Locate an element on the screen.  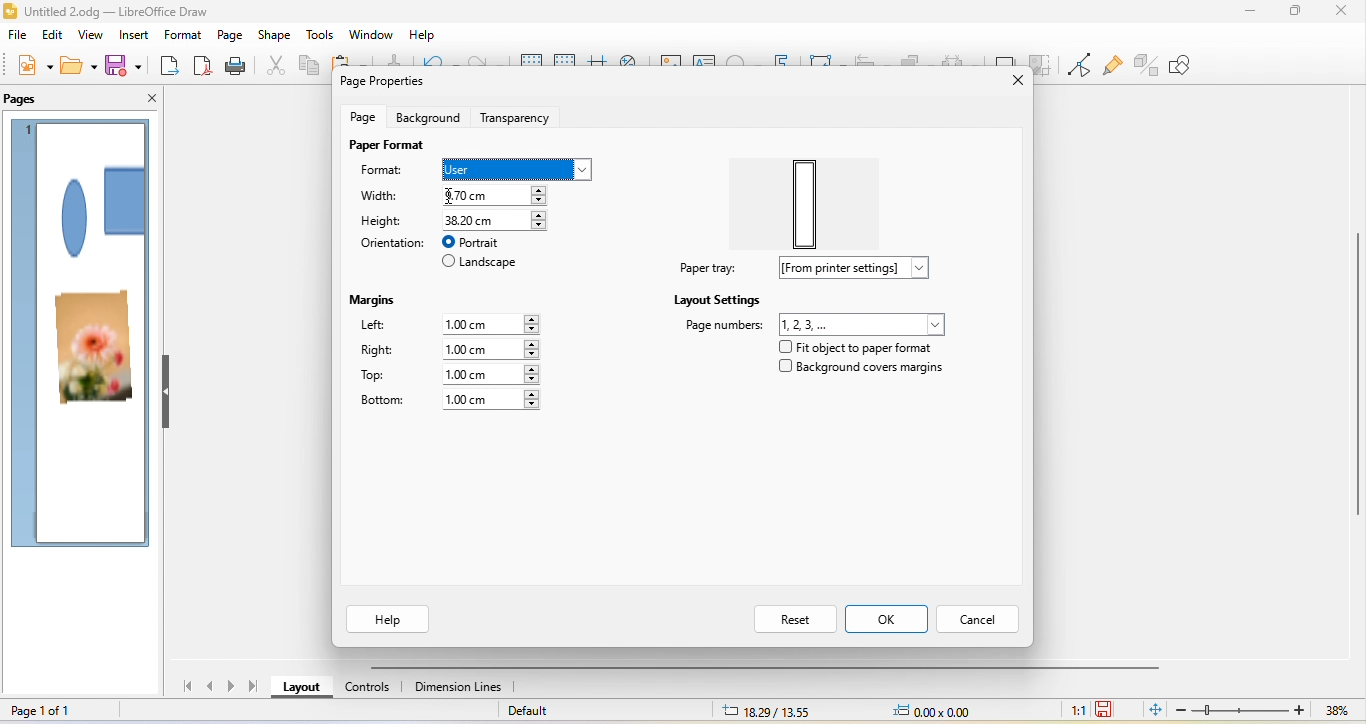
show gluepoint function is located at coordinates (1114, 63).